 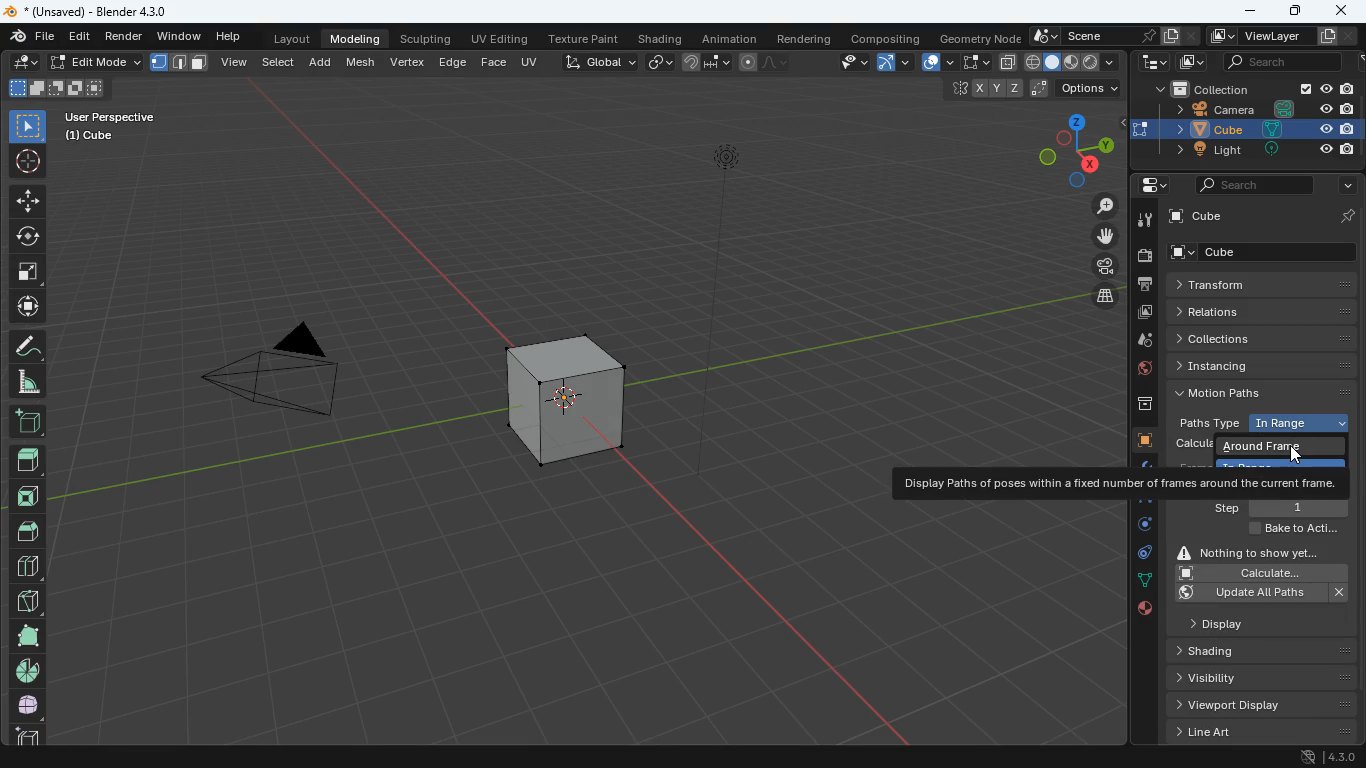 What do you see at coordinates (1269, 447) in the screenshot?
I see `around frame` at bounding box center [1269, 447].